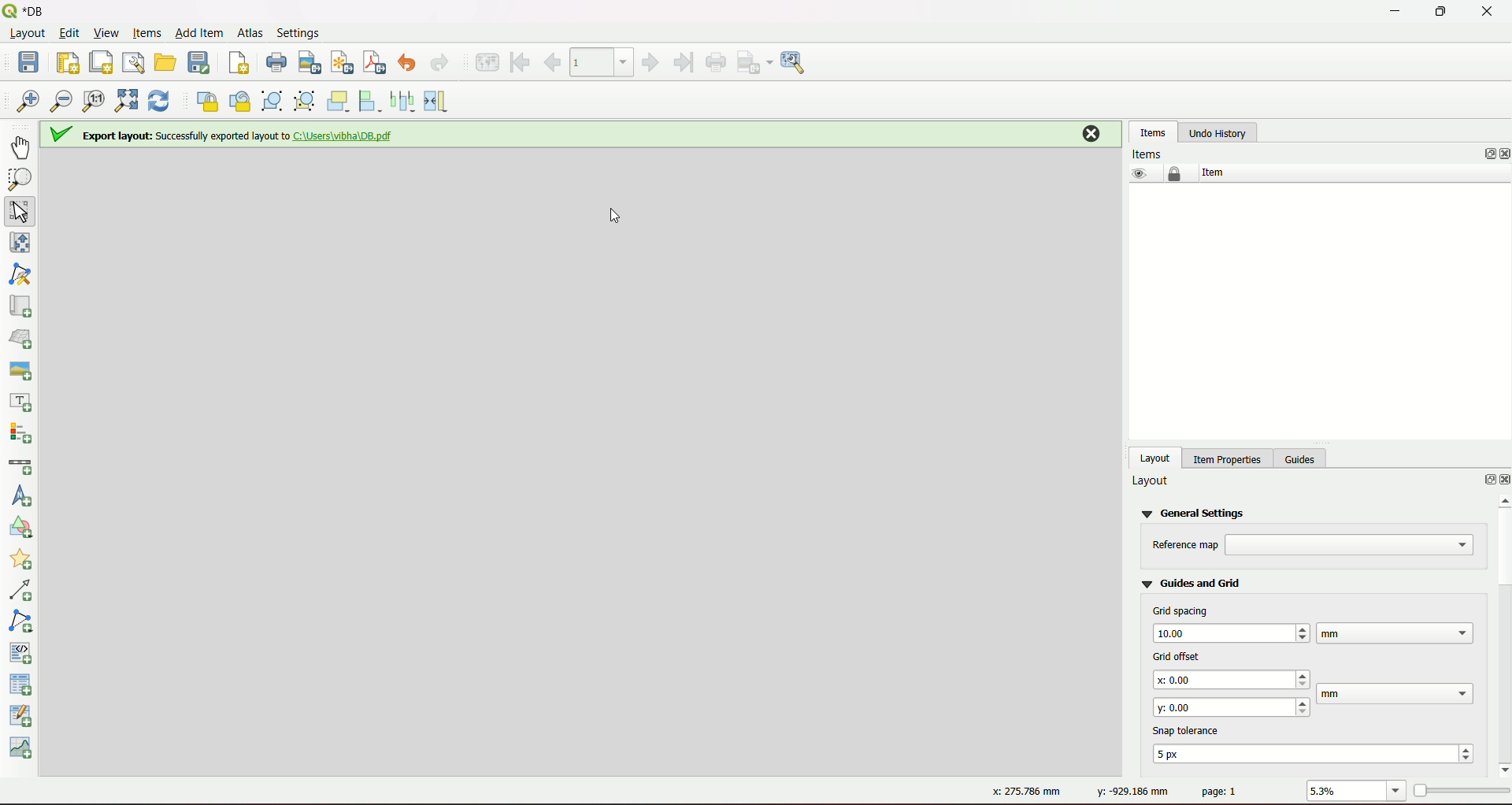 The height and width of the screenshot is (805, 1512). Describe the element at coordinates (1393, 12) in the screenshot. I see `minimize` at that location.